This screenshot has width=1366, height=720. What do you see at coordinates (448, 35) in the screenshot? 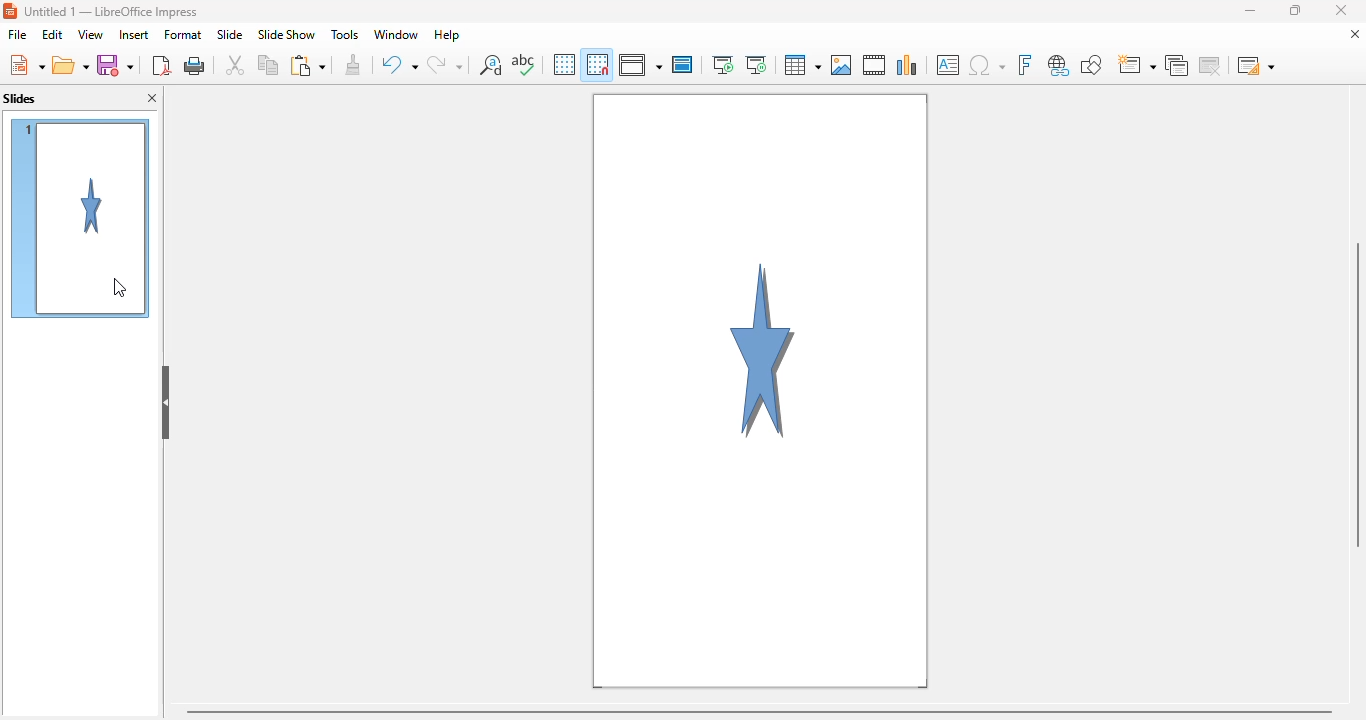
I see `help` at bounding box center [448, 35].